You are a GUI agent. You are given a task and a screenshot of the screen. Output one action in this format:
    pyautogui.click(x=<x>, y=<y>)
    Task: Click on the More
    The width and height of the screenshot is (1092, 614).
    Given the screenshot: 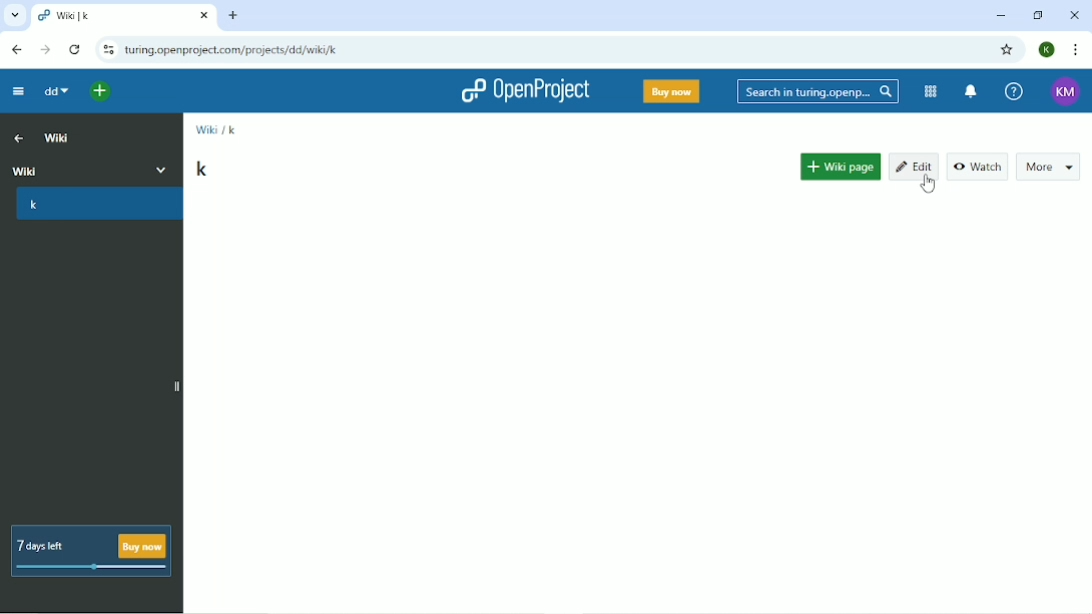 What is the action you would take?
    pyautogui.click(x=1048, y=167)
    